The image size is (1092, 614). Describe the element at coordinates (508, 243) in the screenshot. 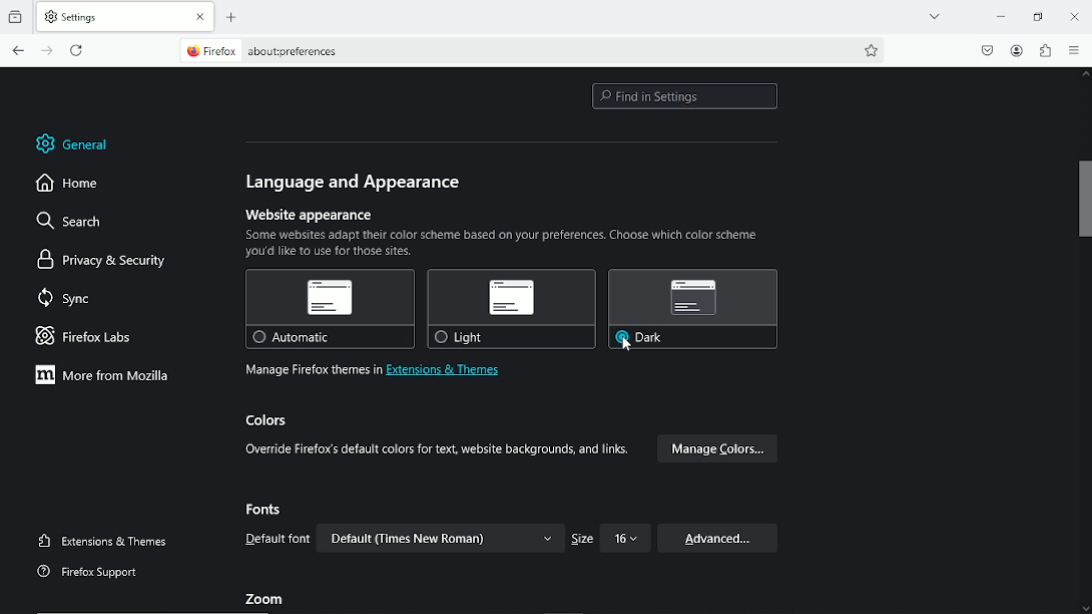

I see `Some websites adapt their color scheme based on your preferences. Choose which color scheme
you'd like to use for those sites.` at that location.